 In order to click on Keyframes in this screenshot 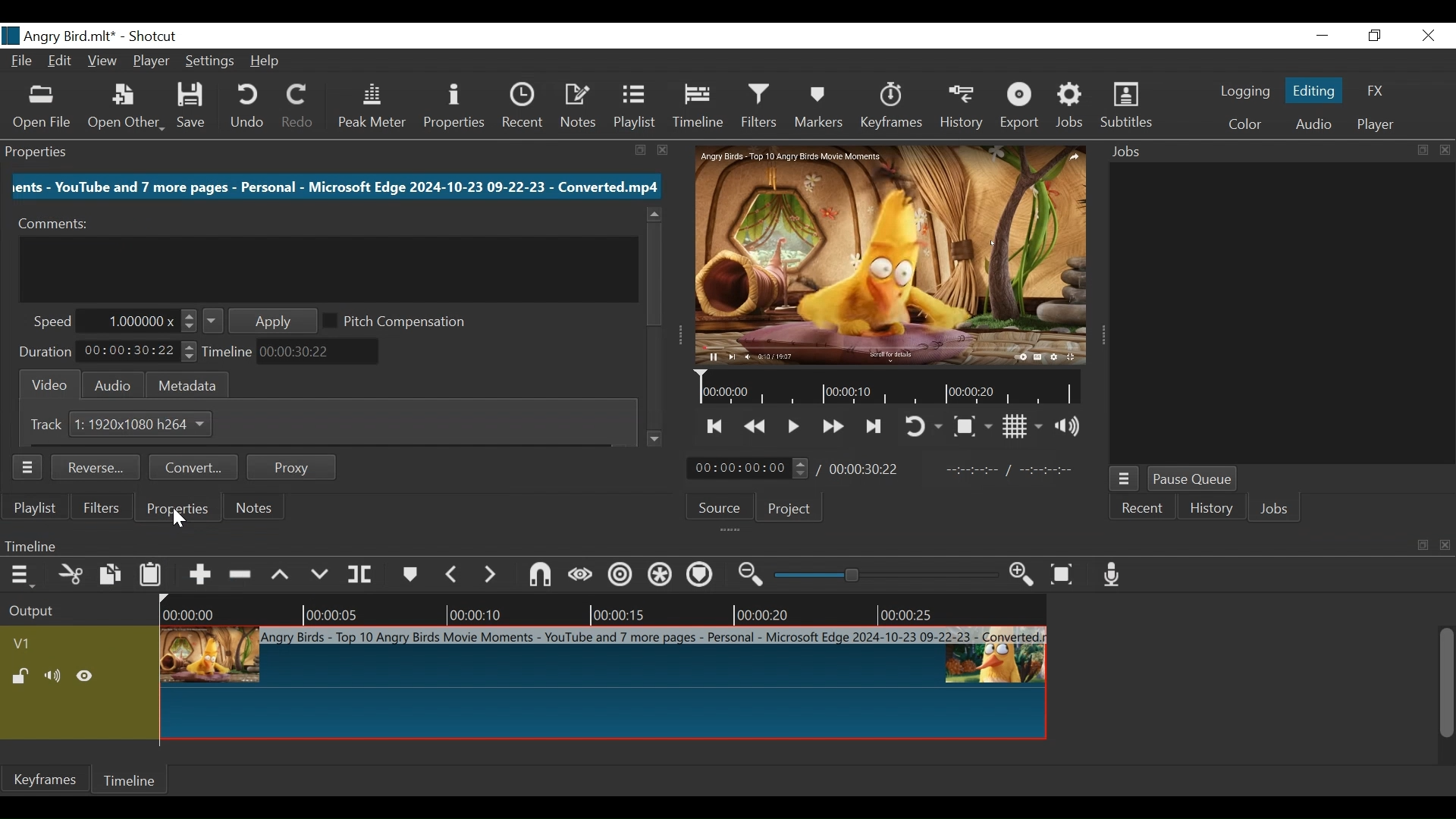, I will do `click(891, 108)`.